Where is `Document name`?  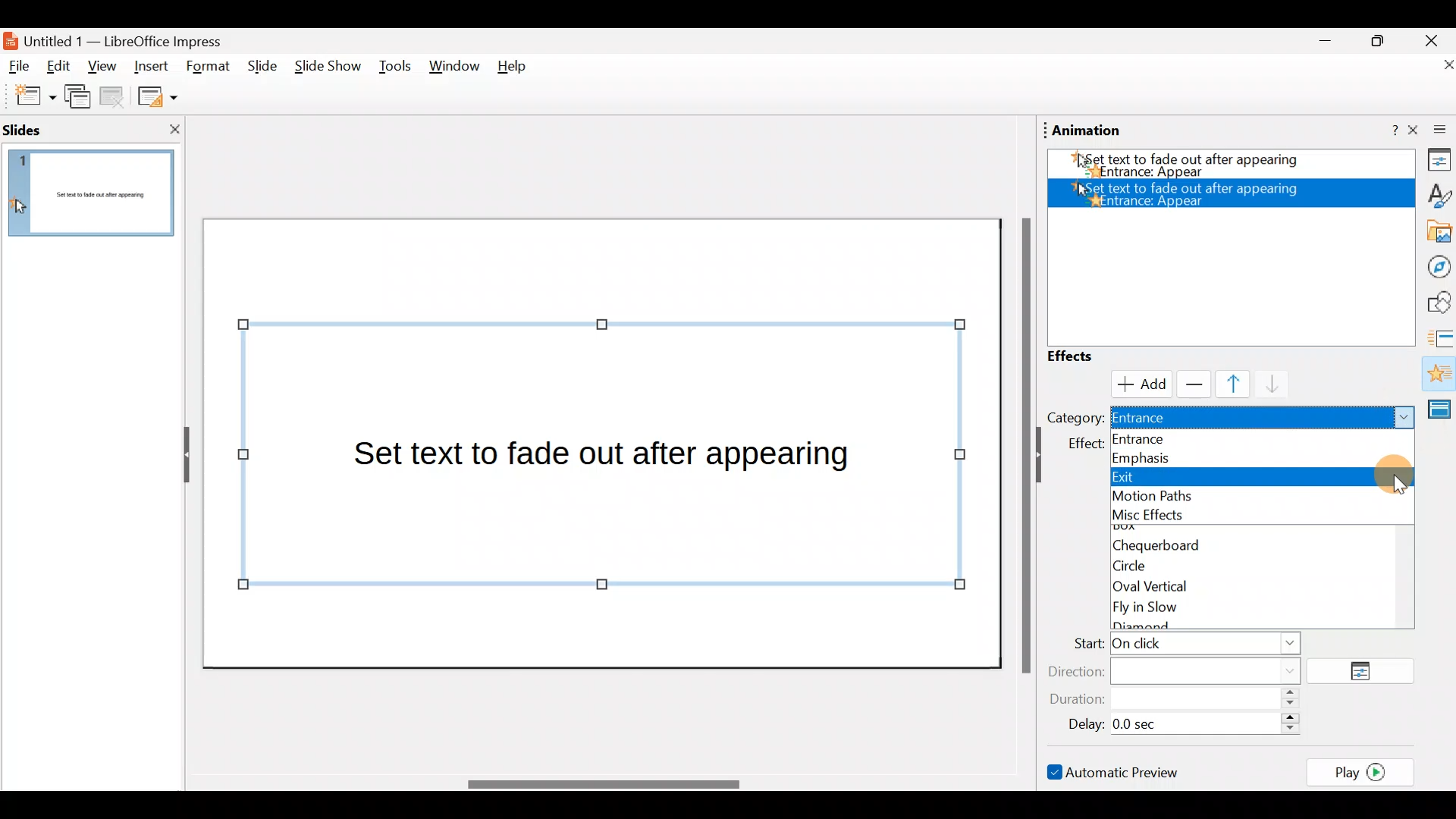 Document name is located at coordinates (124, 39).